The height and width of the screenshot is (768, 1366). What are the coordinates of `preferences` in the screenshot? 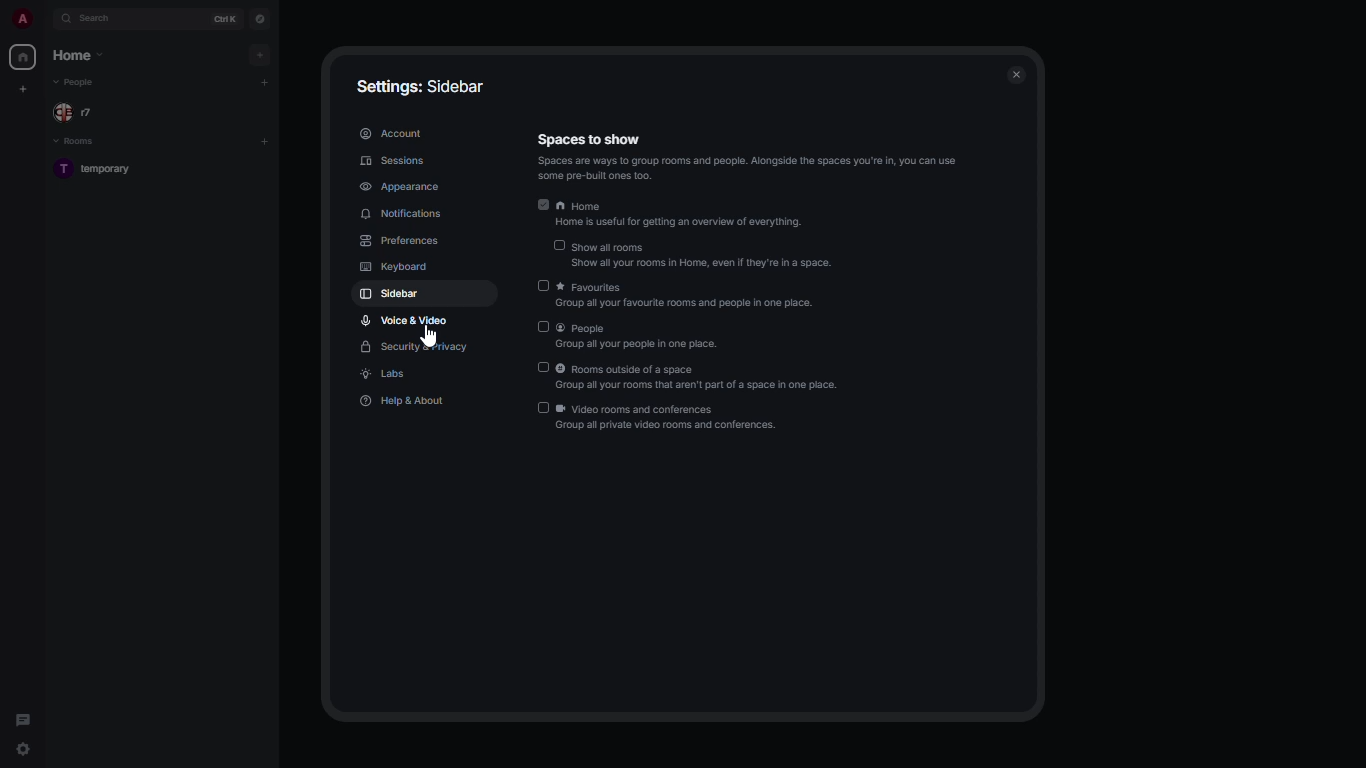 It's located at (401, 241).